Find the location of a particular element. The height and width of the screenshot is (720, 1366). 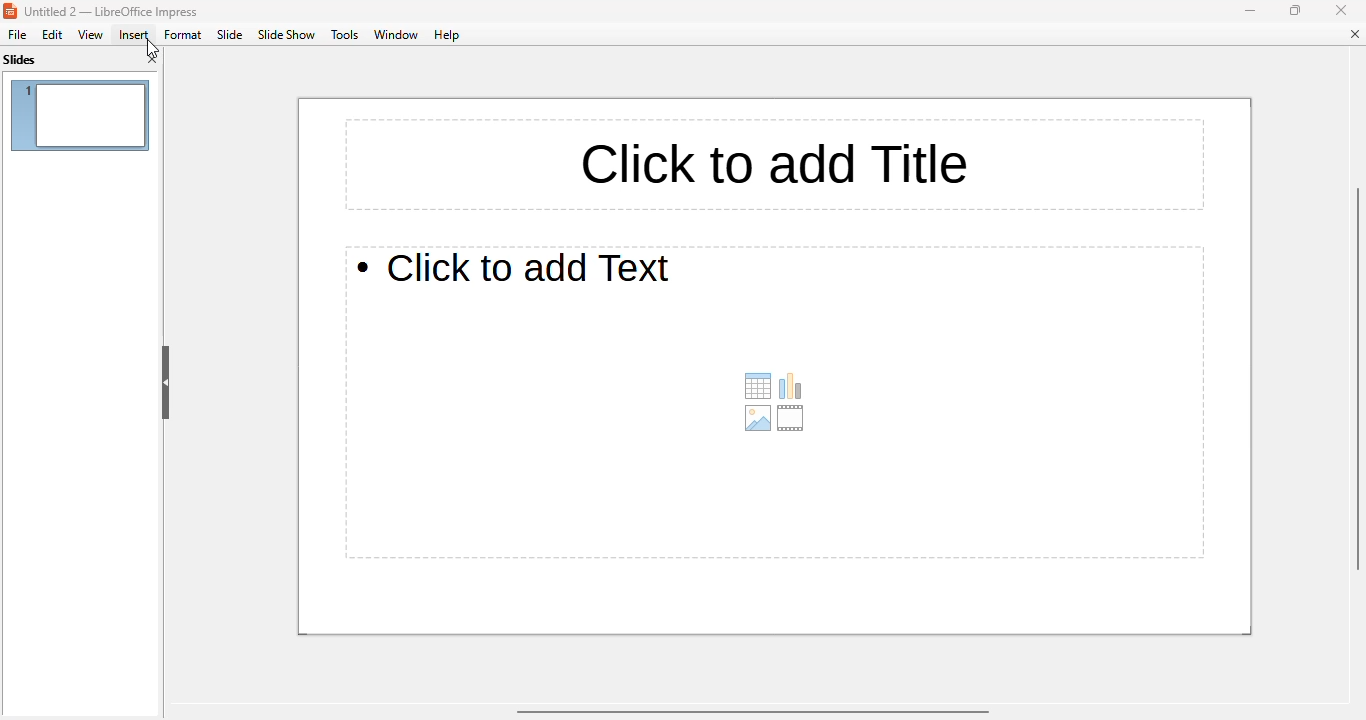

insert chart is located at coordinates (791, 386).